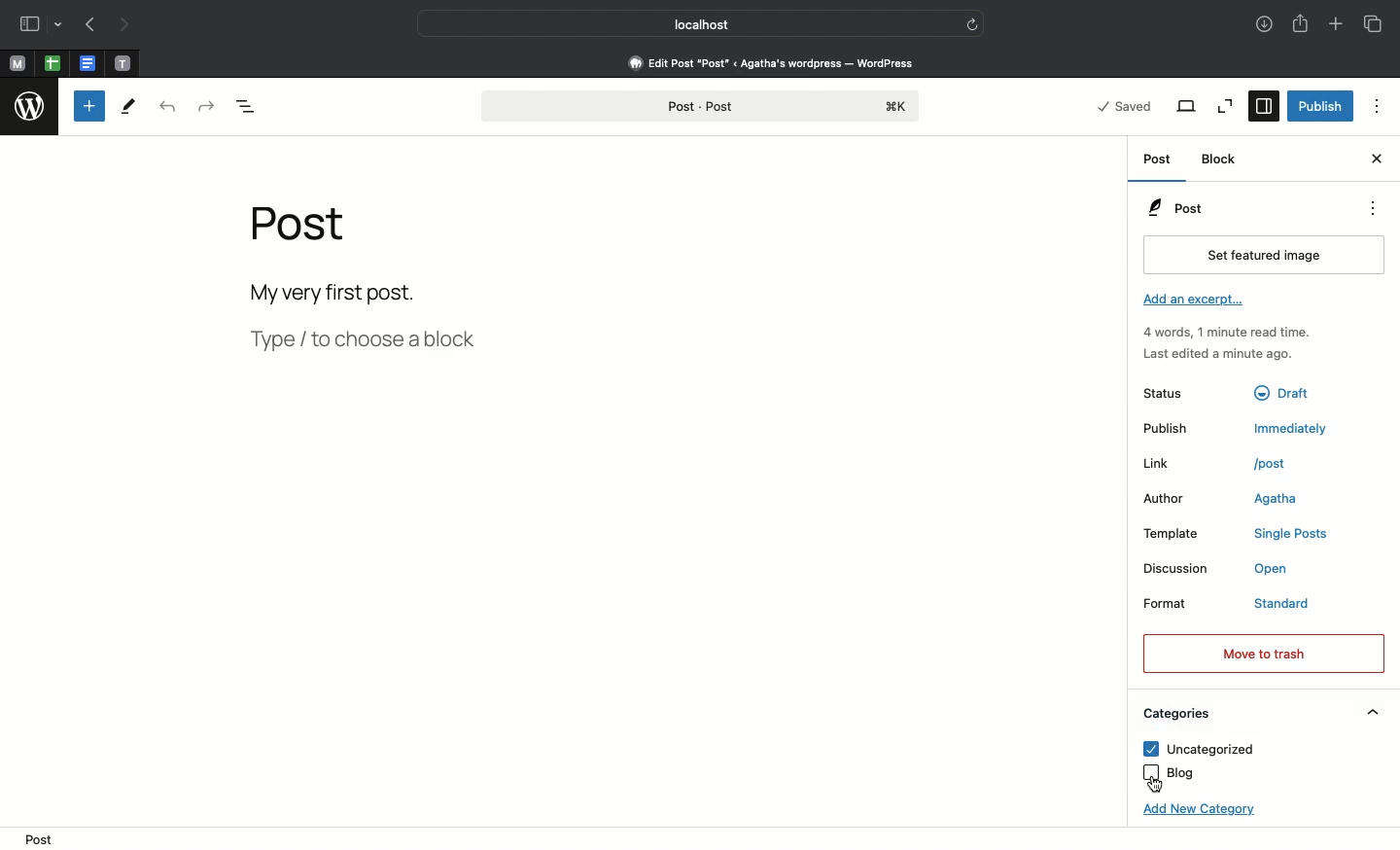 The height and width of the screenshot is (850, 1400). I want to click on Link, so click(1175, 464).